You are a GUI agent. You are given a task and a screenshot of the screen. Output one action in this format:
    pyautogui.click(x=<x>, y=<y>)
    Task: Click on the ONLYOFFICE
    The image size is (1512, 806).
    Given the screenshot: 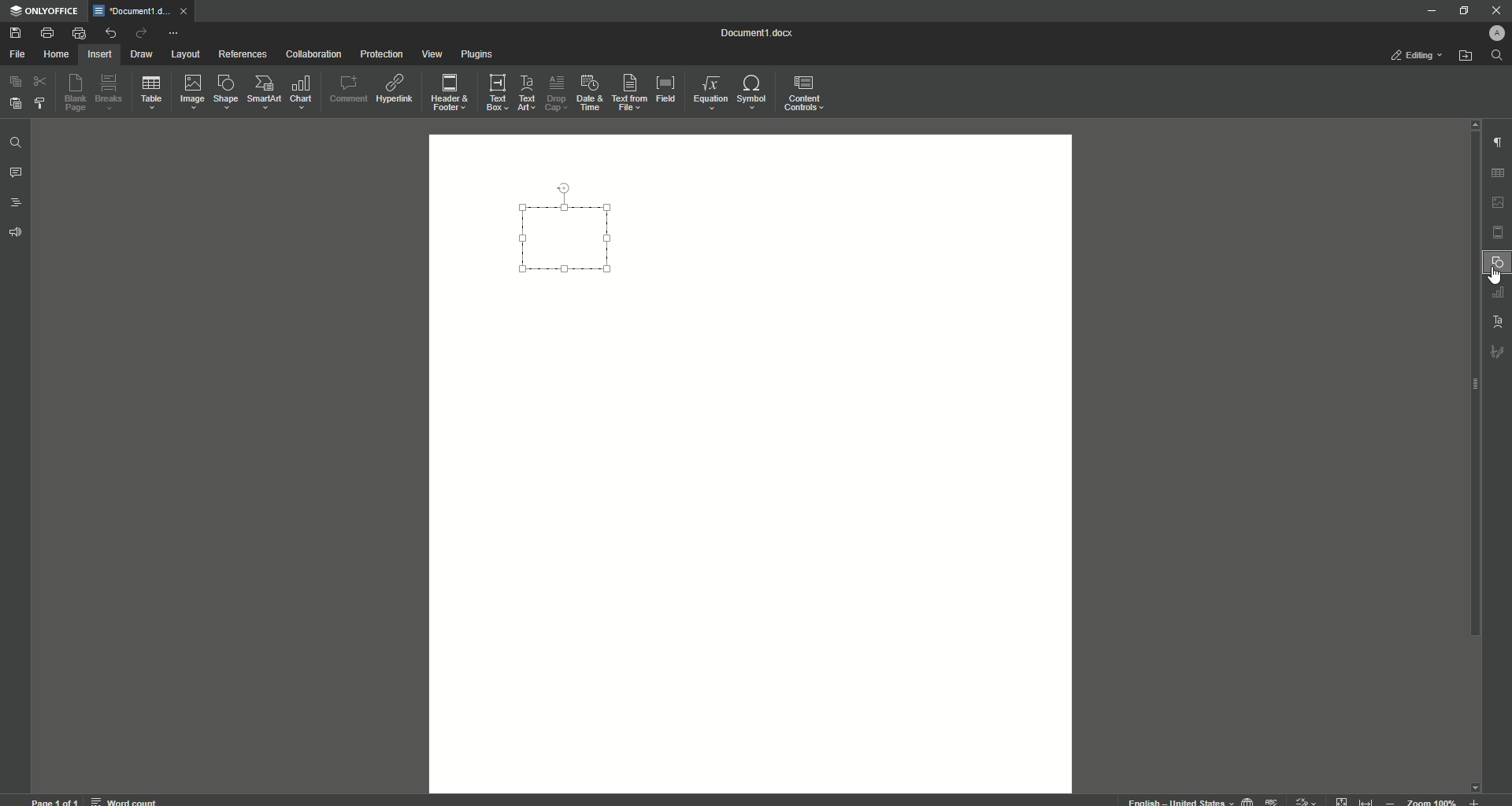 What is the action you would take?
    pyautogui.click(x=45, y=12)
    